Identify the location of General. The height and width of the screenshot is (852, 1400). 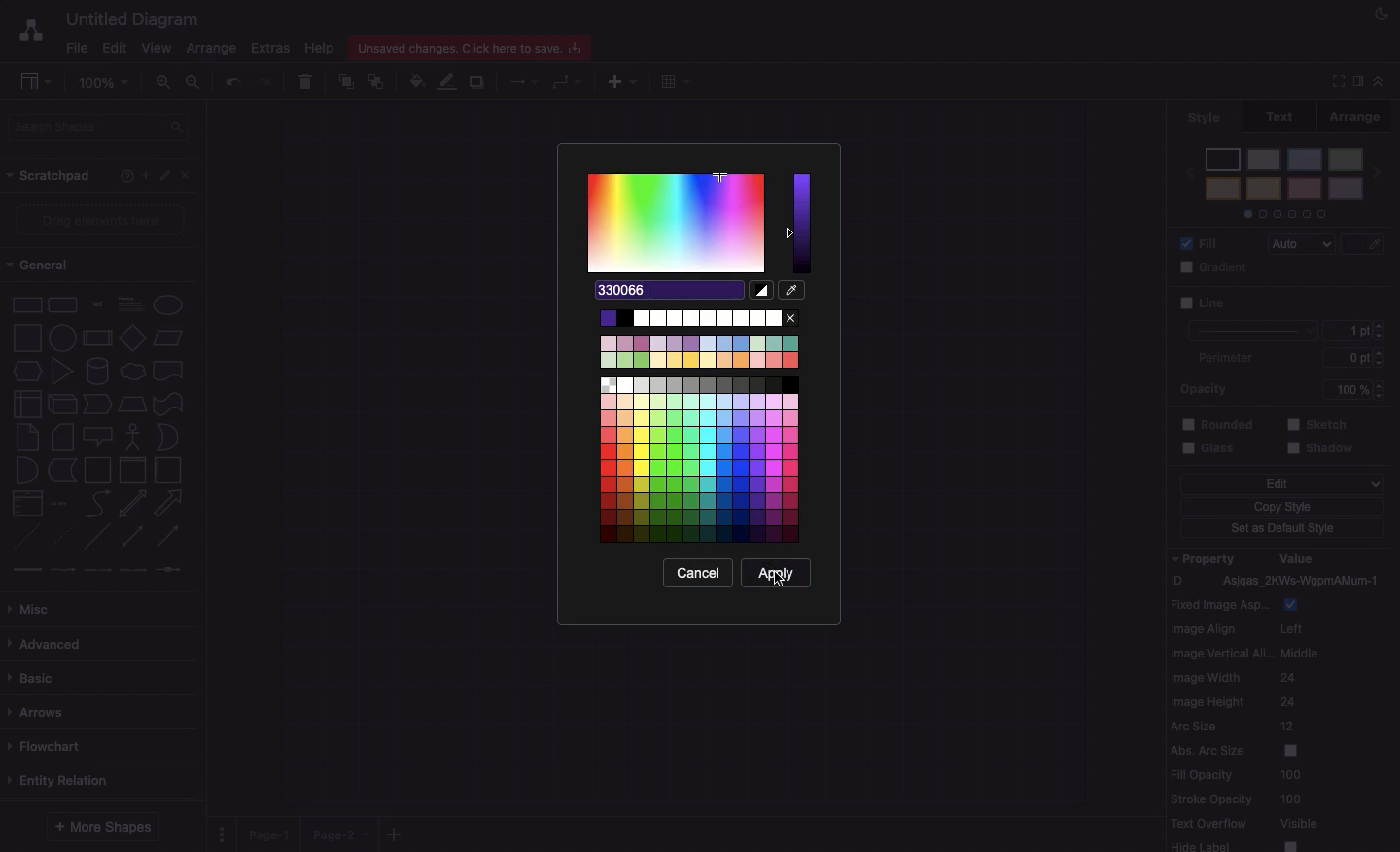
(40, 267).